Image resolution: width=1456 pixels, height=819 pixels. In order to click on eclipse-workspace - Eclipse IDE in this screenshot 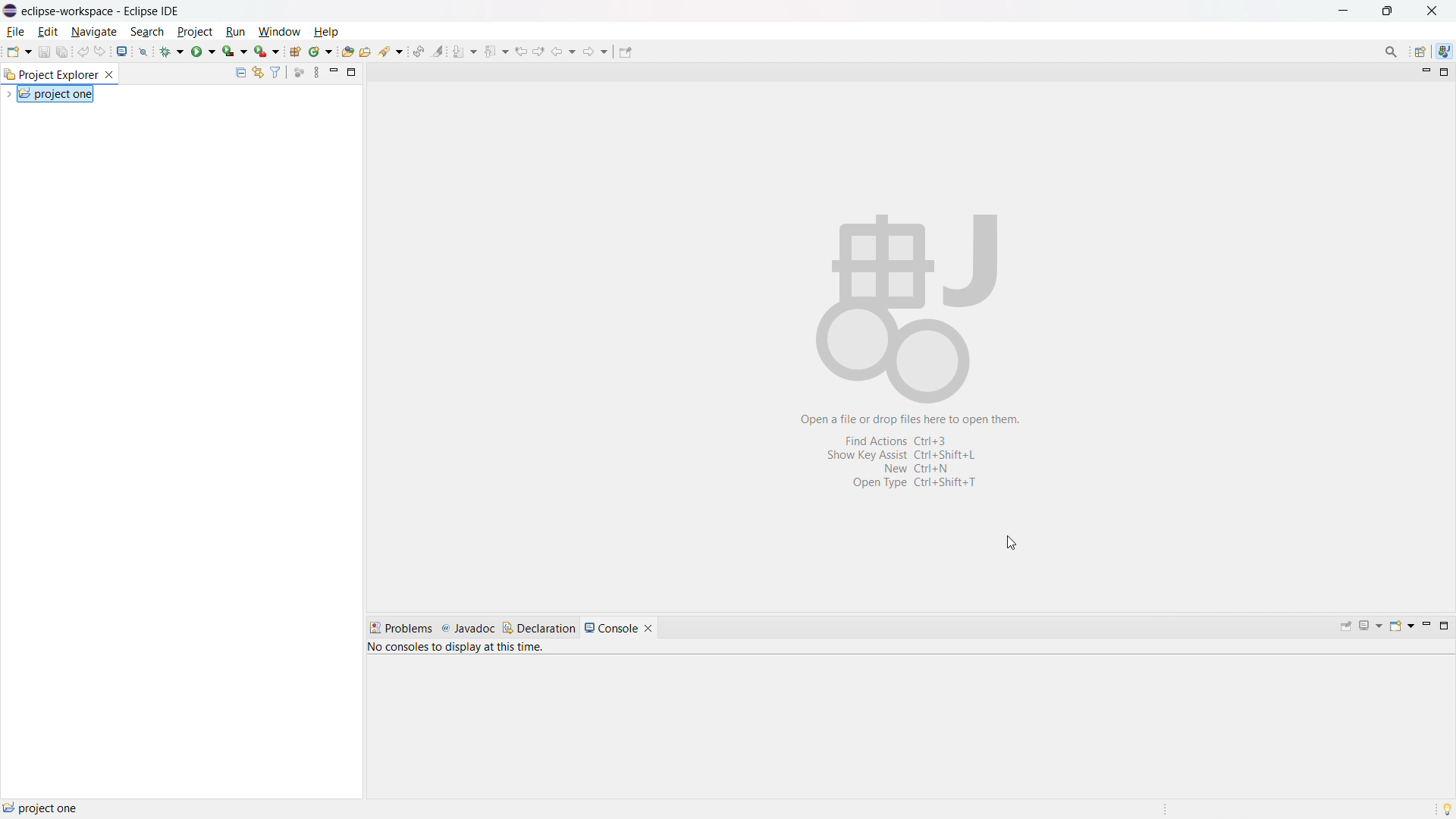, I will do `click(101, 11)`.